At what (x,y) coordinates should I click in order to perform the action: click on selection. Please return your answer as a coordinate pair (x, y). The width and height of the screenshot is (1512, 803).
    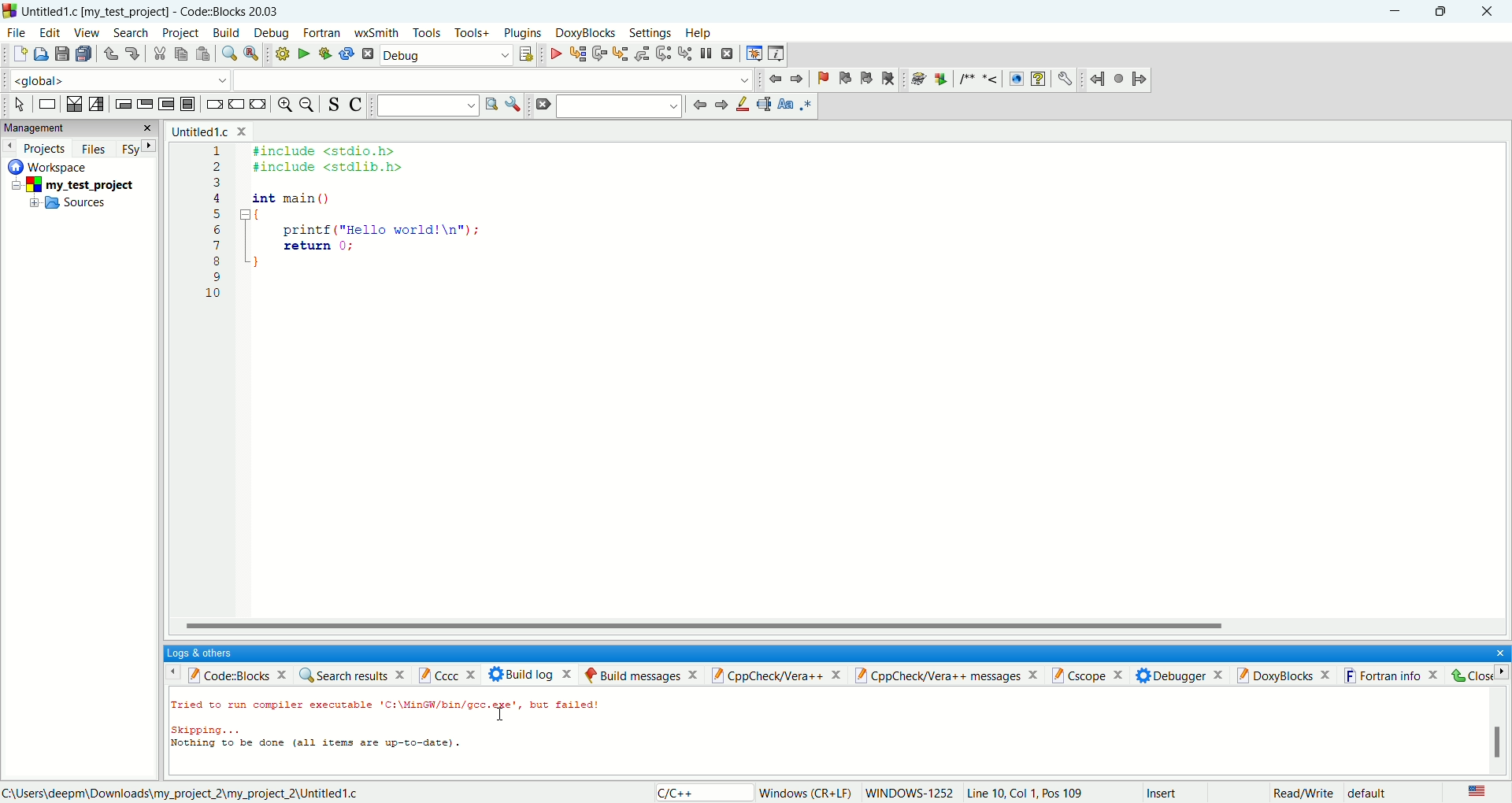
    Looking at the image, I should click on (95, 105).